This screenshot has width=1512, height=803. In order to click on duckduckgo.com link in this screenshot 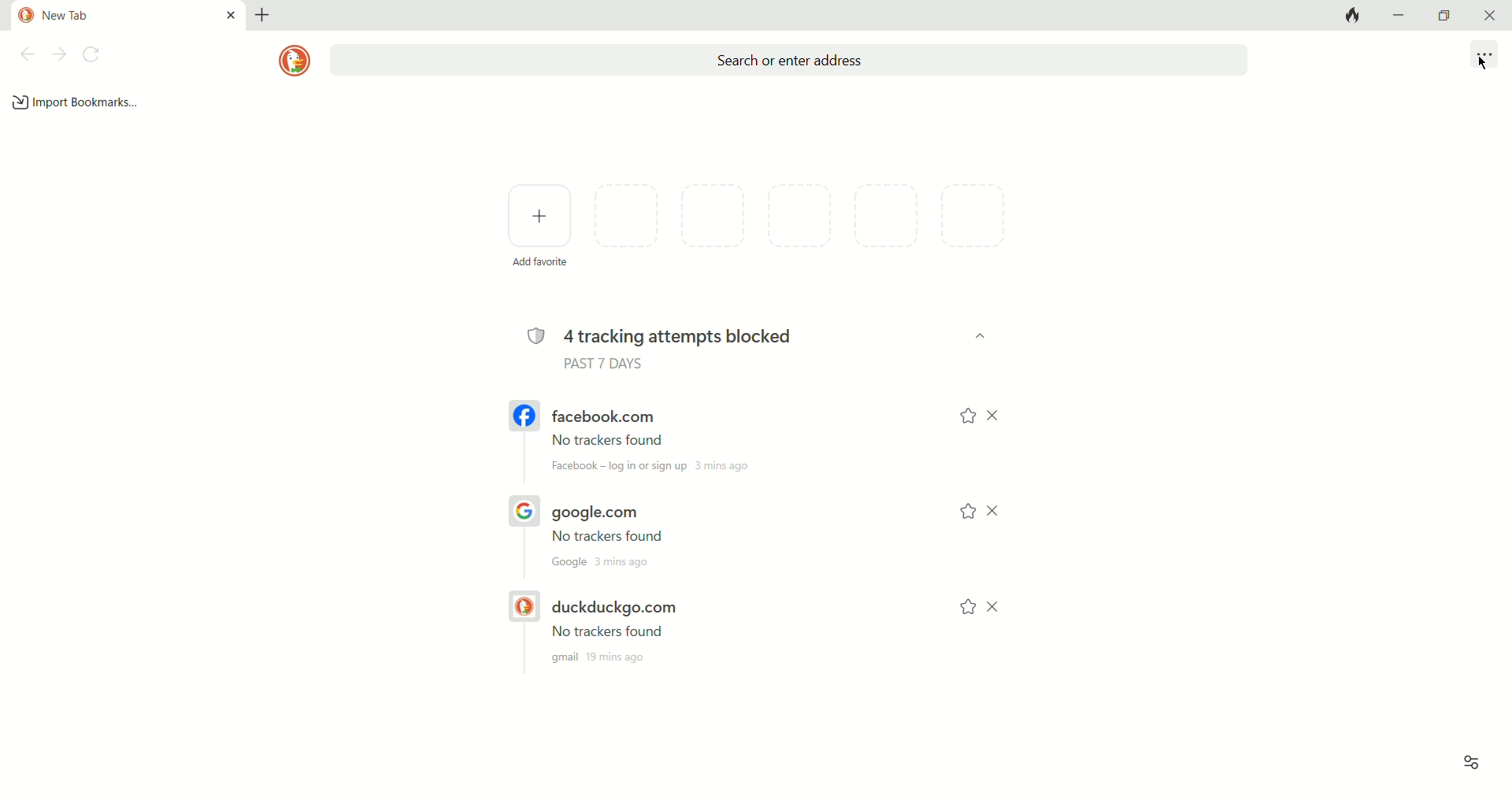, I will do `click(599, 627)`.